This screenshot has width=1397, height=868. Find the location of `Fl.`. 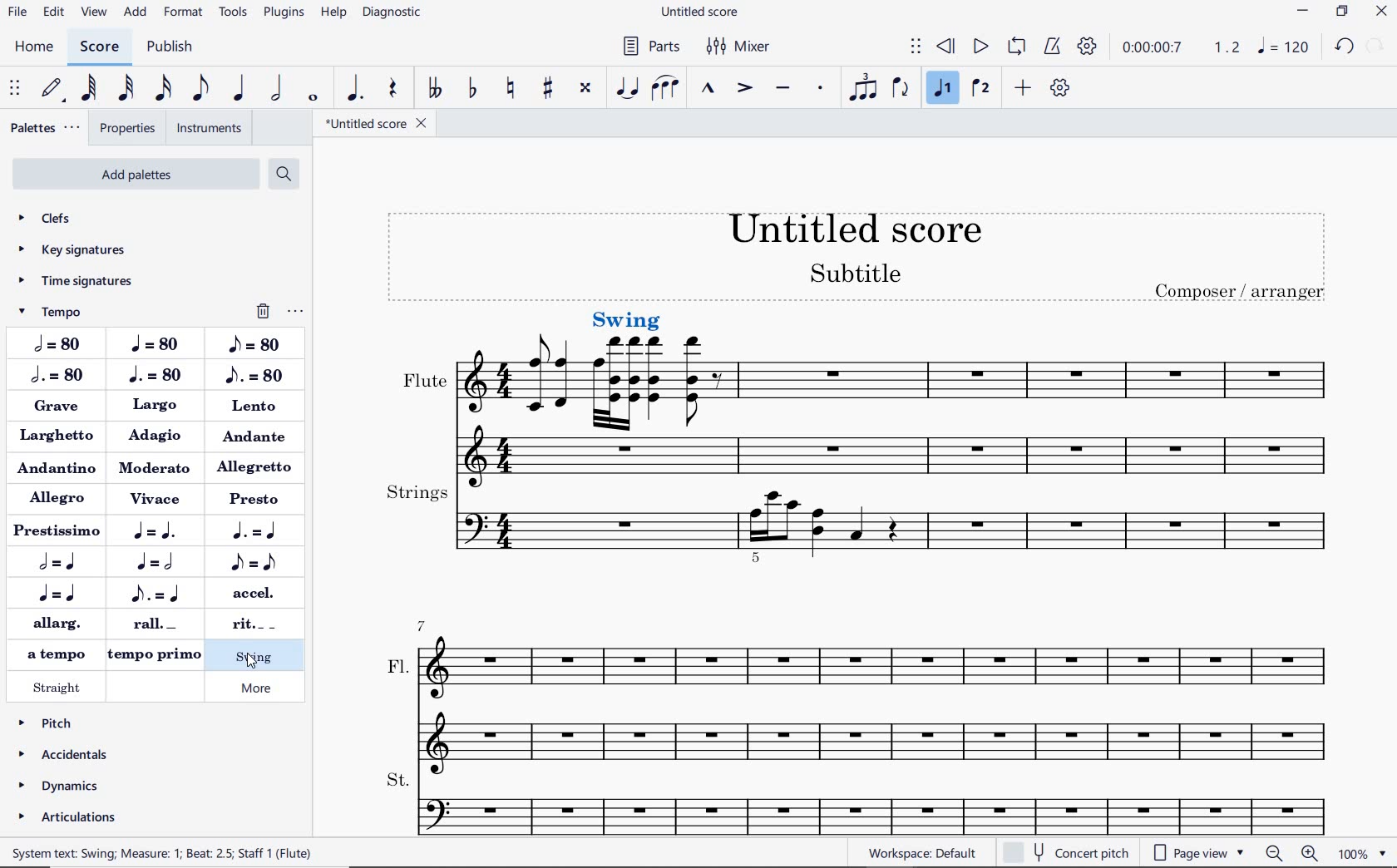

Fl. is located at coordinates (870, 688).